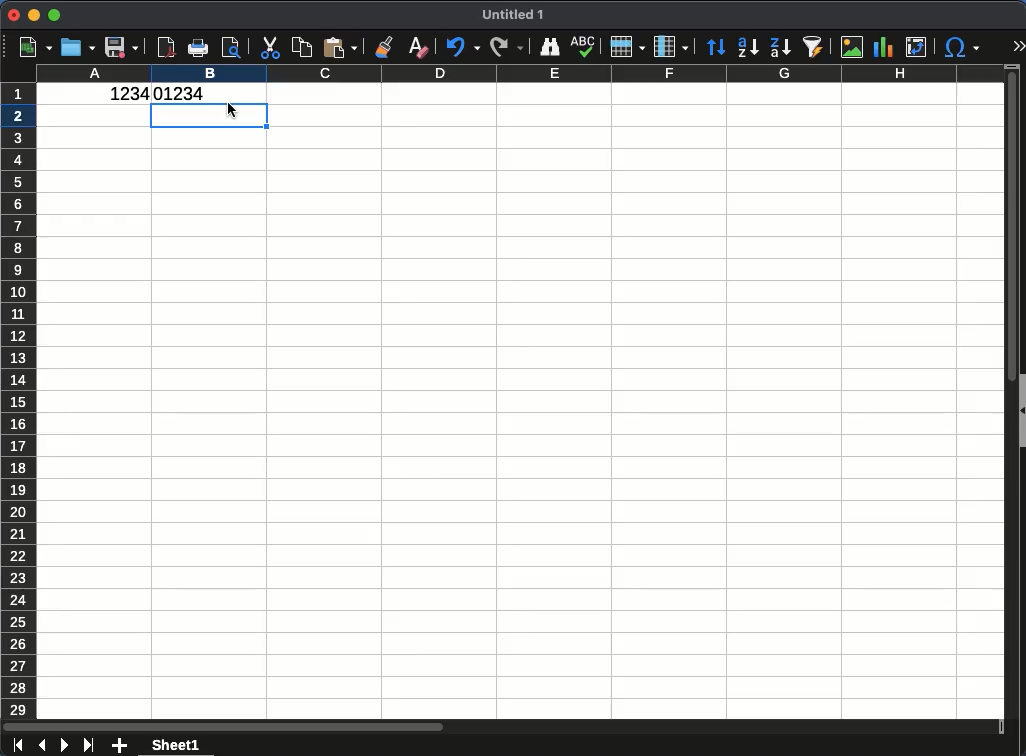 The image size is (1026, 756). What do you see at coordinates (121, 747) in the screenshot?
I see `add sheet` at bounding box center [121, 747].